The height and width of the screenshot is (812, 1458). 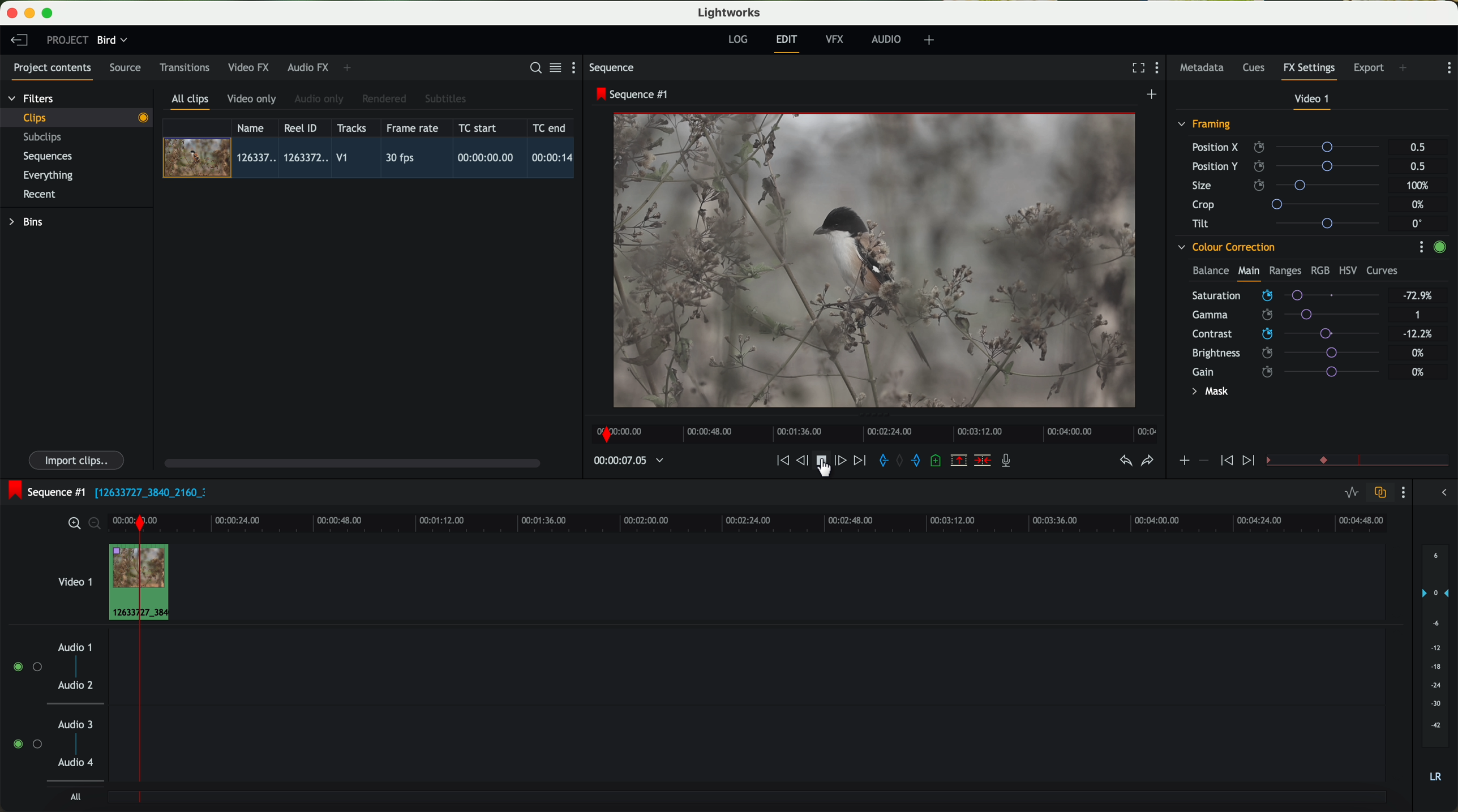 I want to click on toggle audio levels editing, so click(x=1351, y=494).